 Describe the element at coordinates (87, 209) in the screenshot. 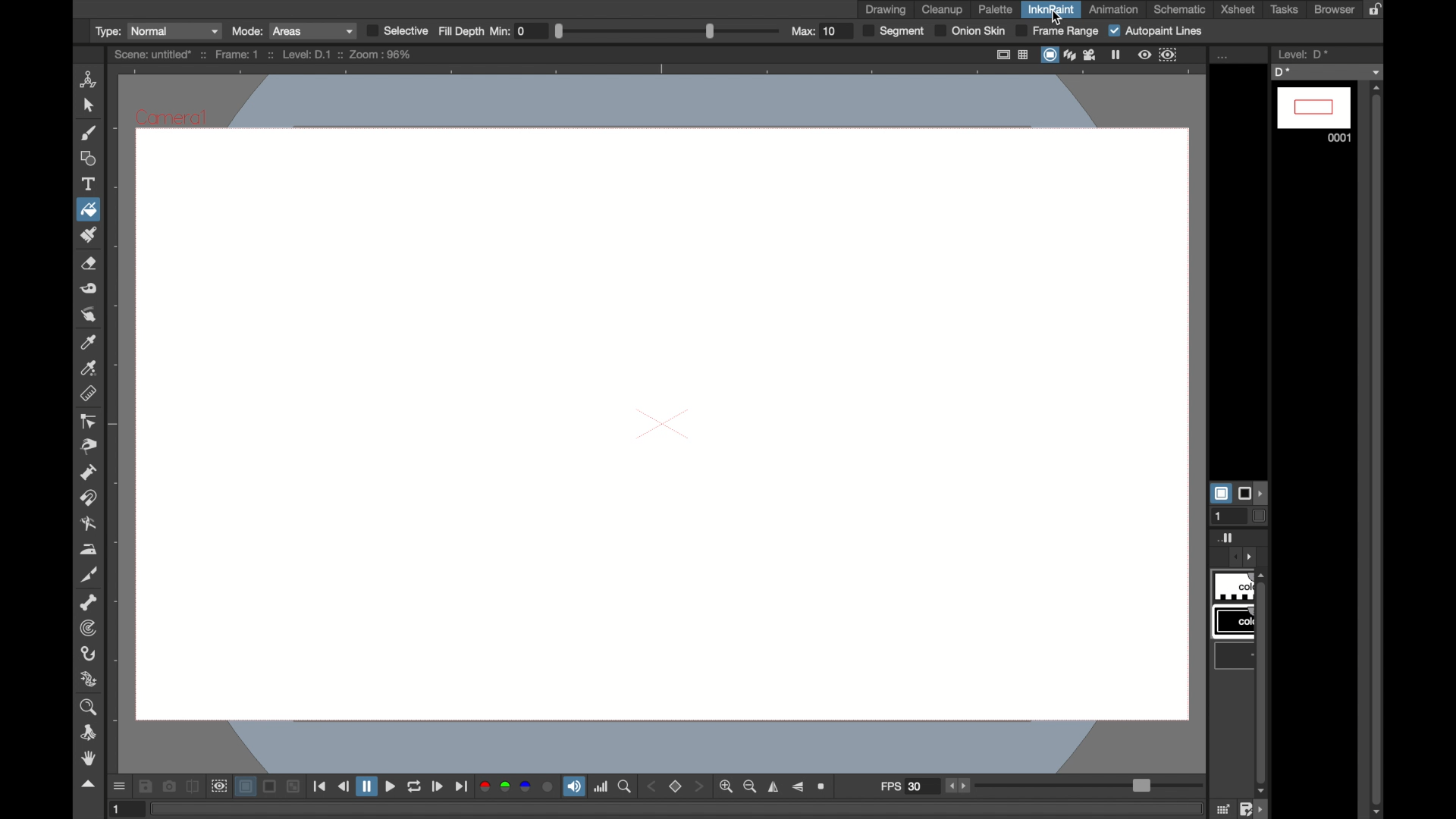

I see `fill tool` at that location.